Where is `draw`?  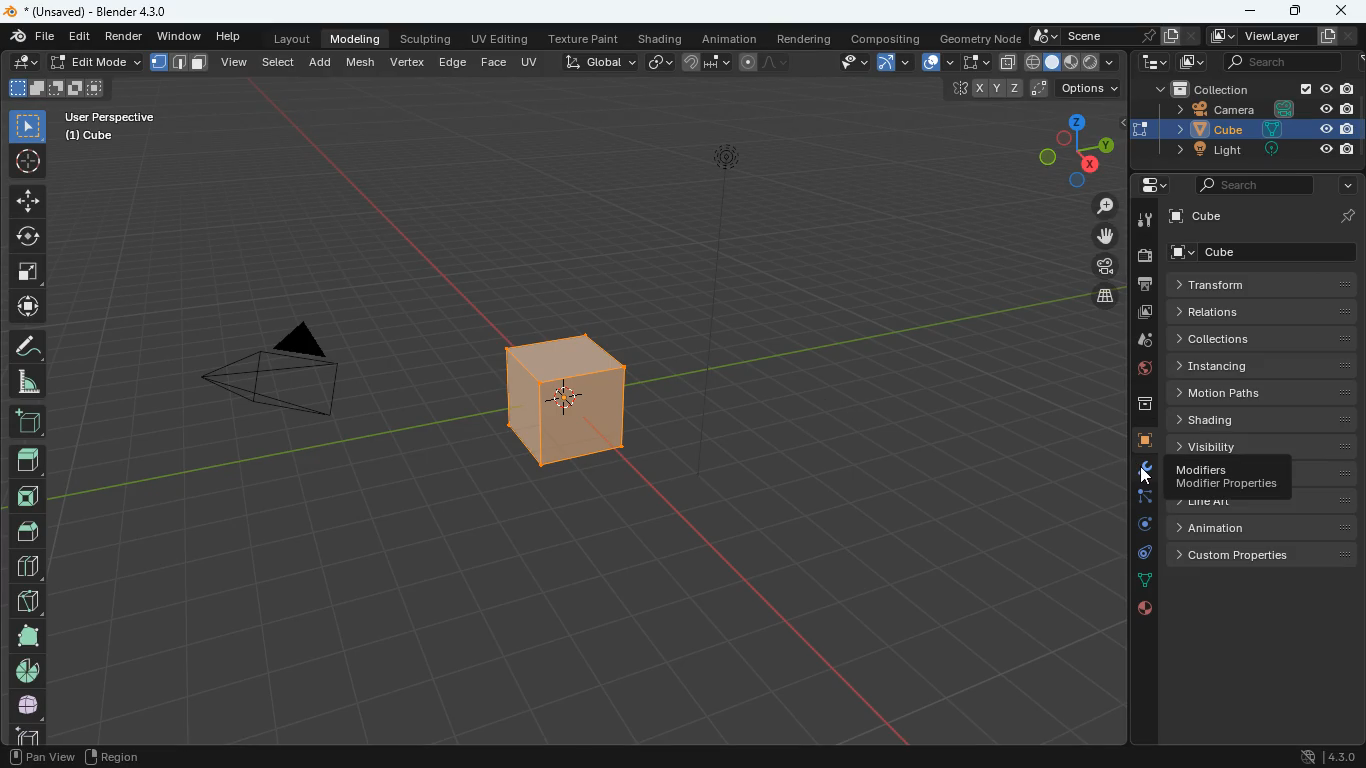 draw is located at coordinates (26, 345).